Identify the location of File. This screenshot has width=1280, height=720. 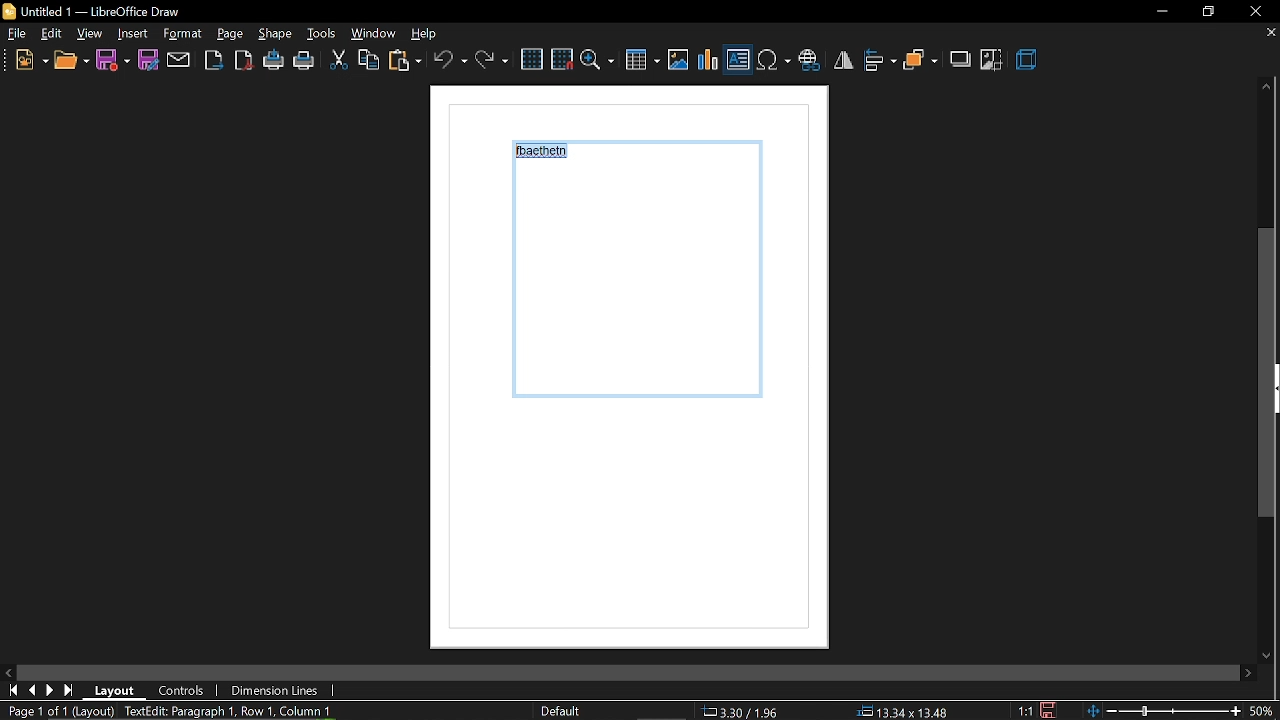
(17, 33).